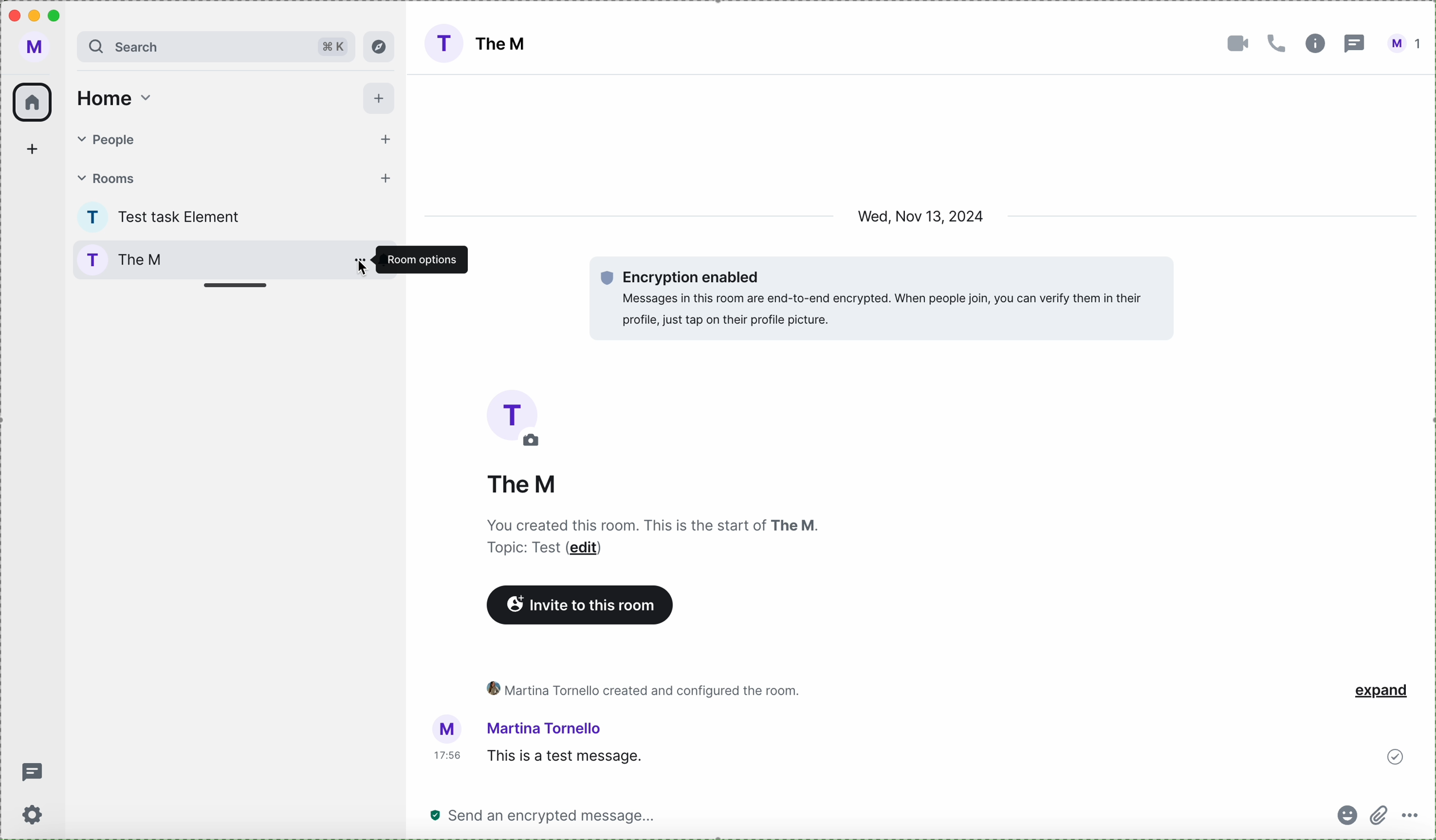 This screenshot has width=1436, height=840. I want to click on encryption enabled, so click(879, 297).